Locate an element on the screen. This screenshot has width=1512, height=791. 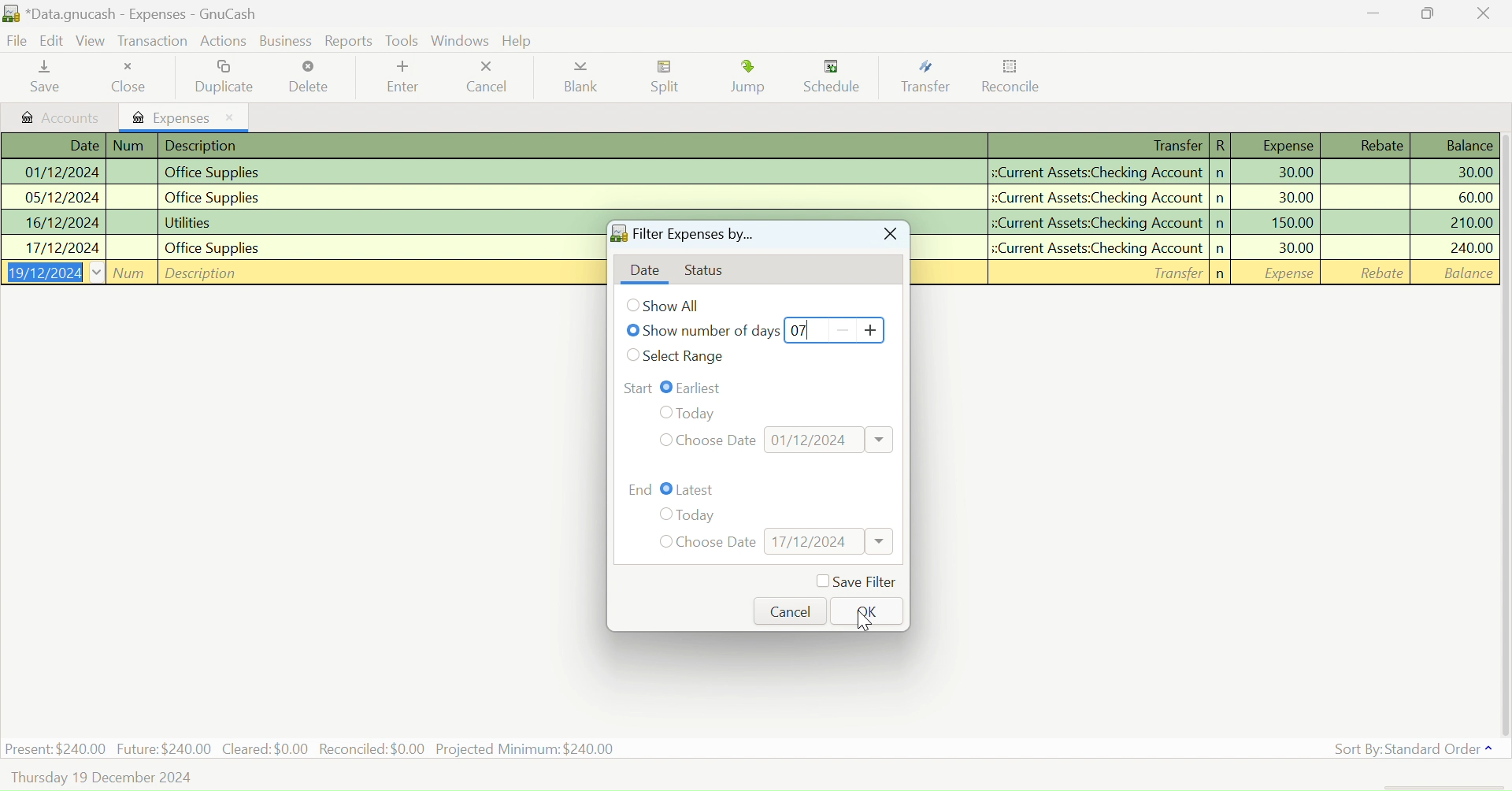
Filter Expenses by... is located at coordinates (682, 236).